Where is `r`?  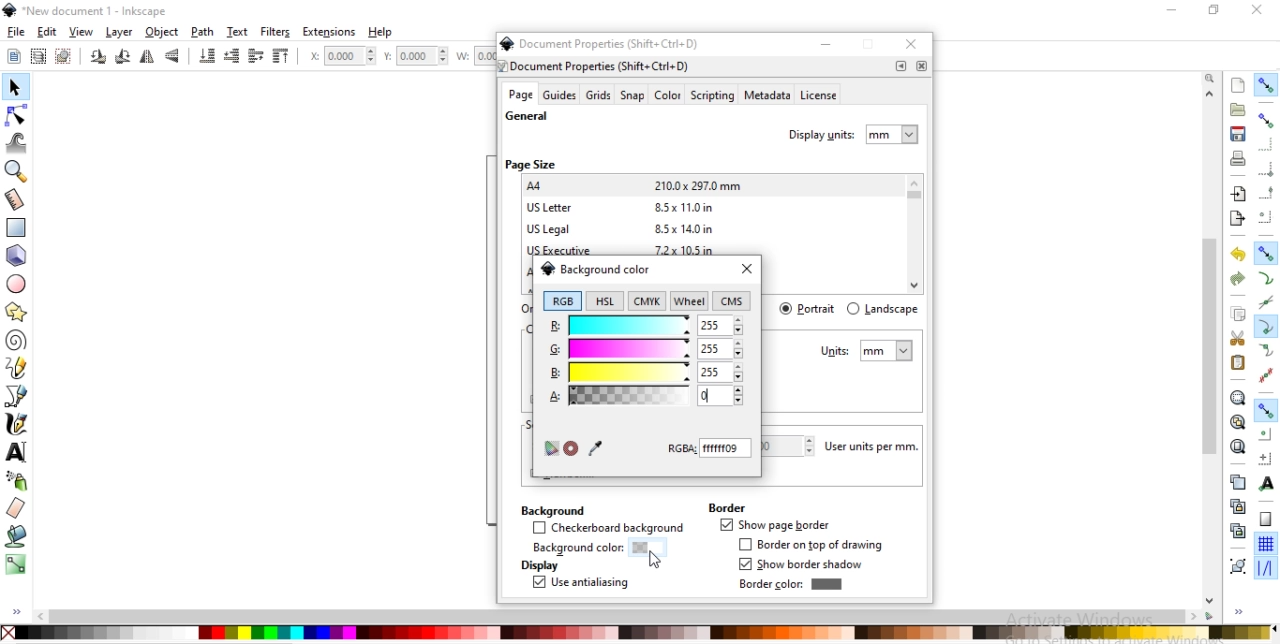 r is located at coordinates (645, 324).